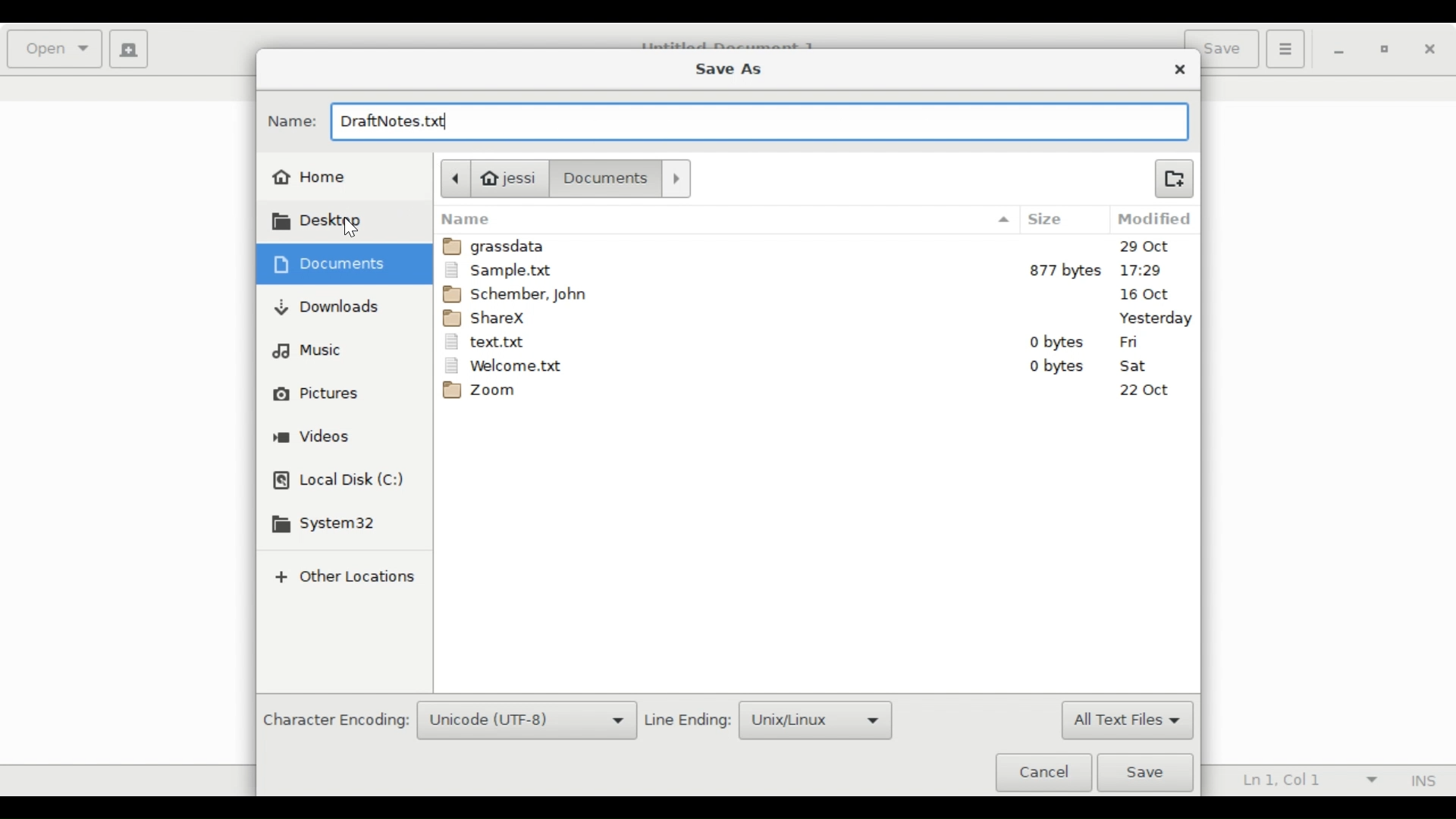 The height and width of the screenshot is (819, 1456). Describe the element at coordinates (1173, 177) in the screenshot. I see `Create new Folder` at that location.